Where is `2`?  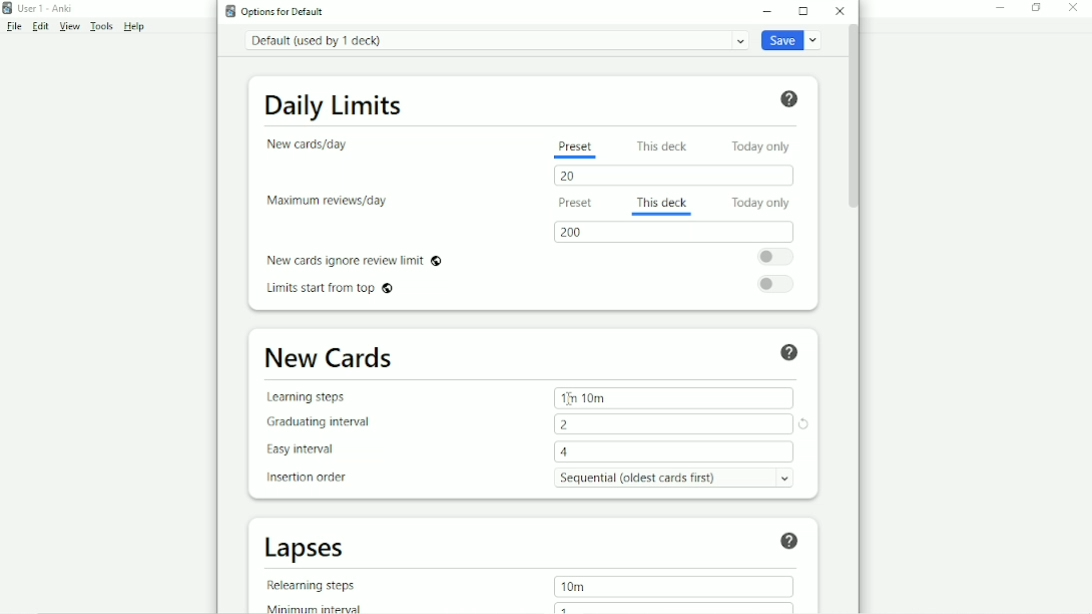 2 is located at coordinates (569, 425).